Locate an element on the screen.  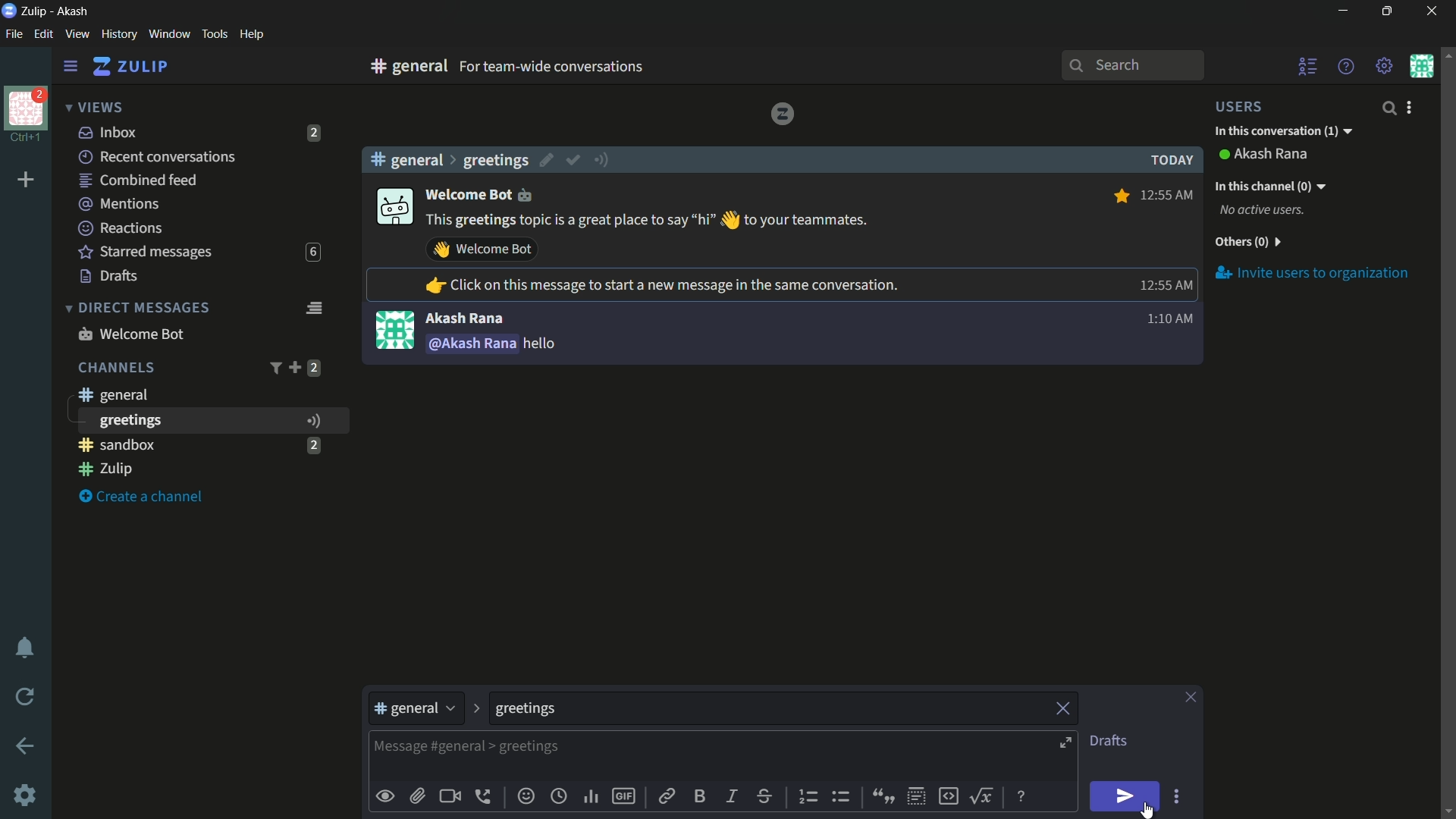
zulip channel is located at coordinates (205, 470).